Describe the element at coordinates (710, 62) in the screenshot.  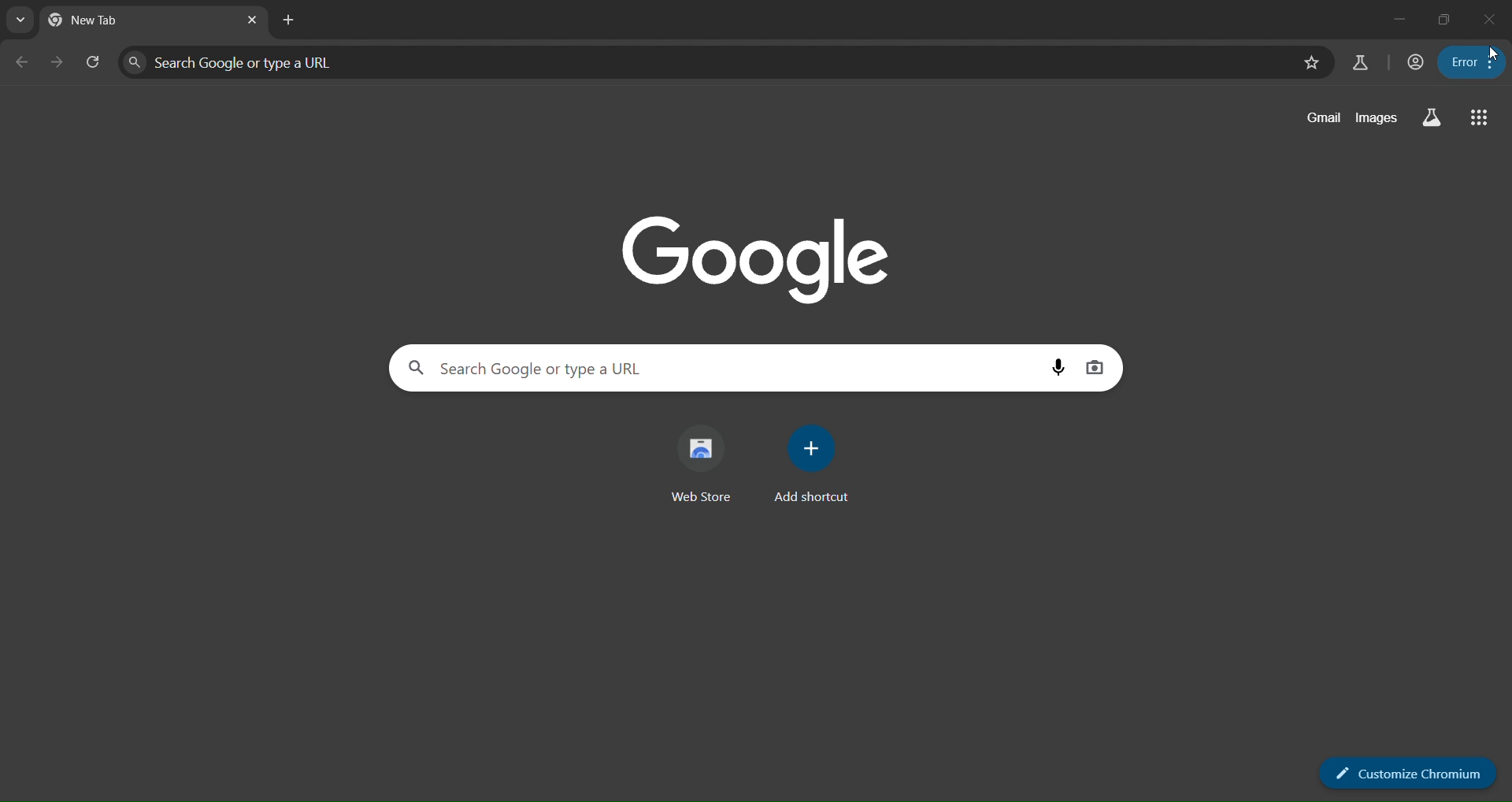
I see `search panel` at that location.